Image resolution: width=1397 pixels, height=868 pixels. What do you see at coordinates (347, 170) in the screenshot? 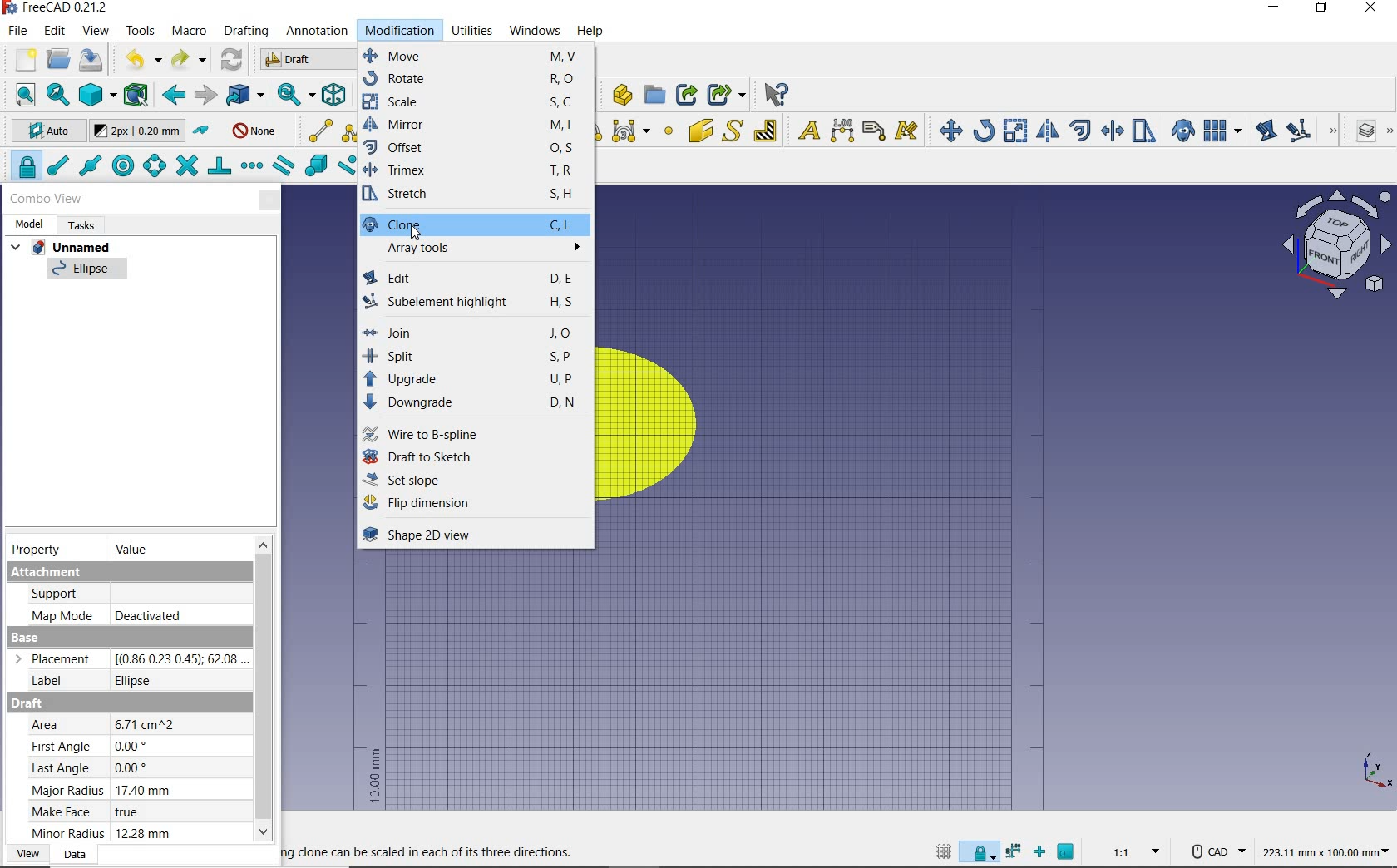
I see `snap near` at bounding box center [347, 170].